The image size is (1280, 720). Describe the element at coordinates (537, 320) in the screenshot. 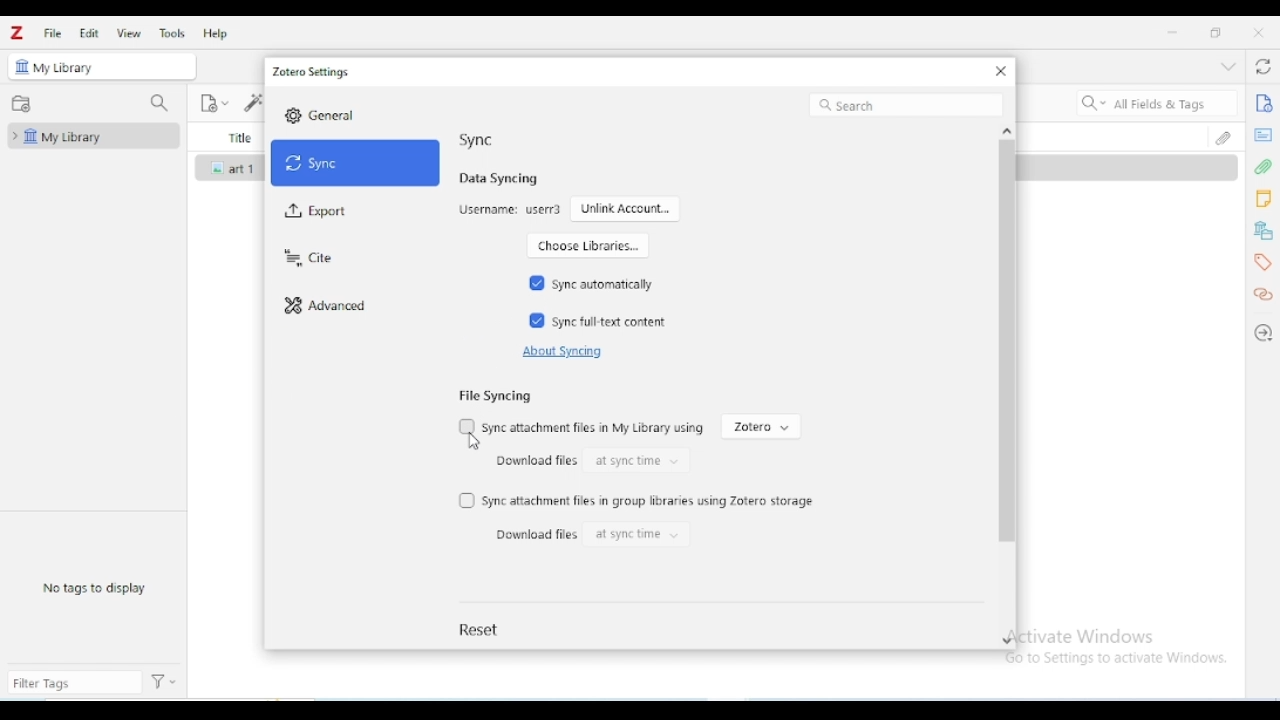

I see `Checked box` at that location.